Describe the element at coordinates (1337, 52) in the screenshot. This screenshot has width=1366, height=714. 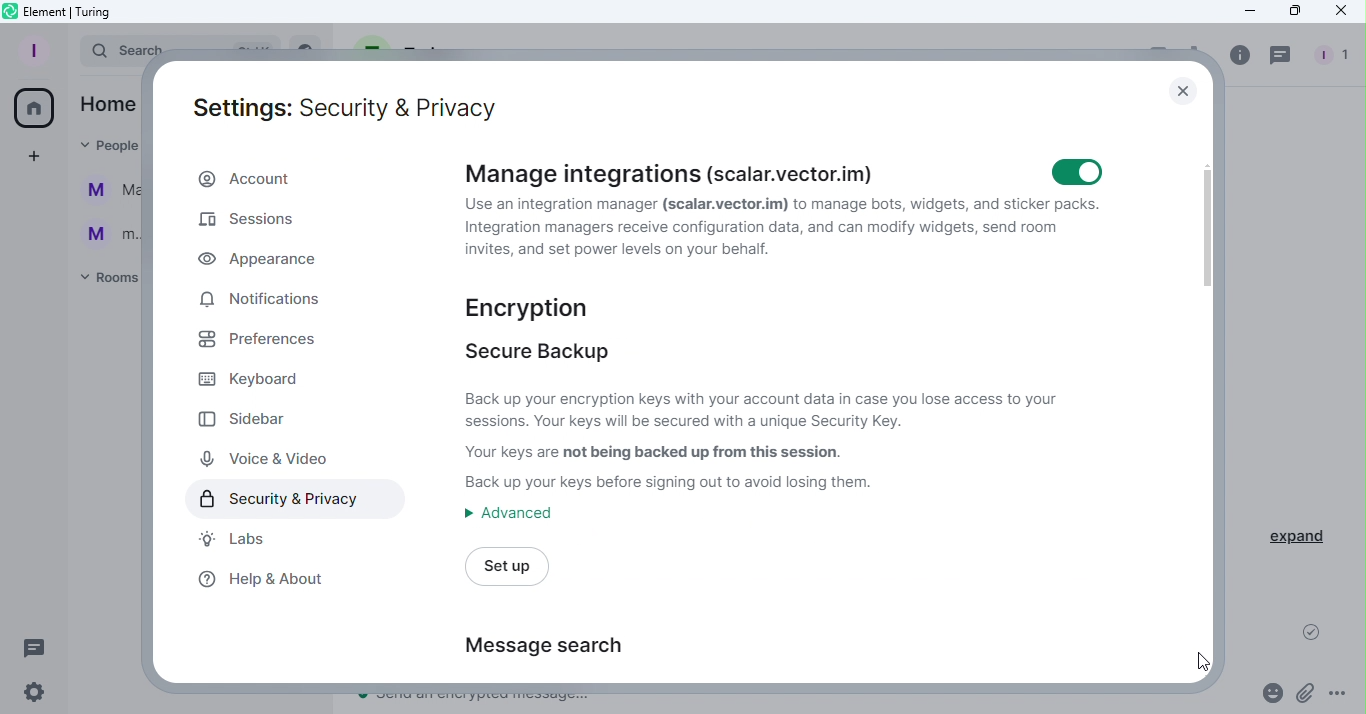
I see `People` at that location.